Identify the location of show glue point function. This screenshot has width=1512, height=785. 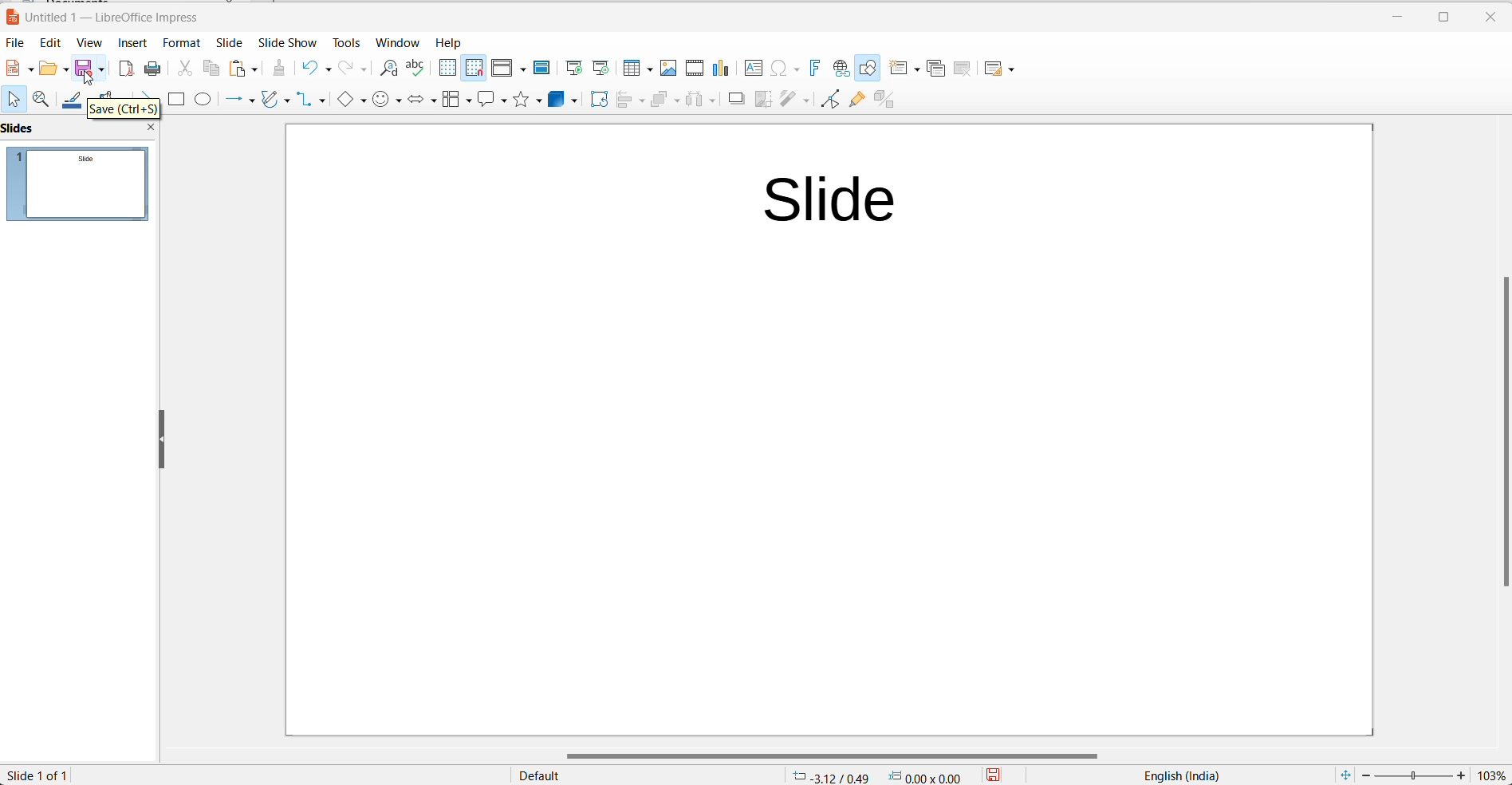
(857, 101).